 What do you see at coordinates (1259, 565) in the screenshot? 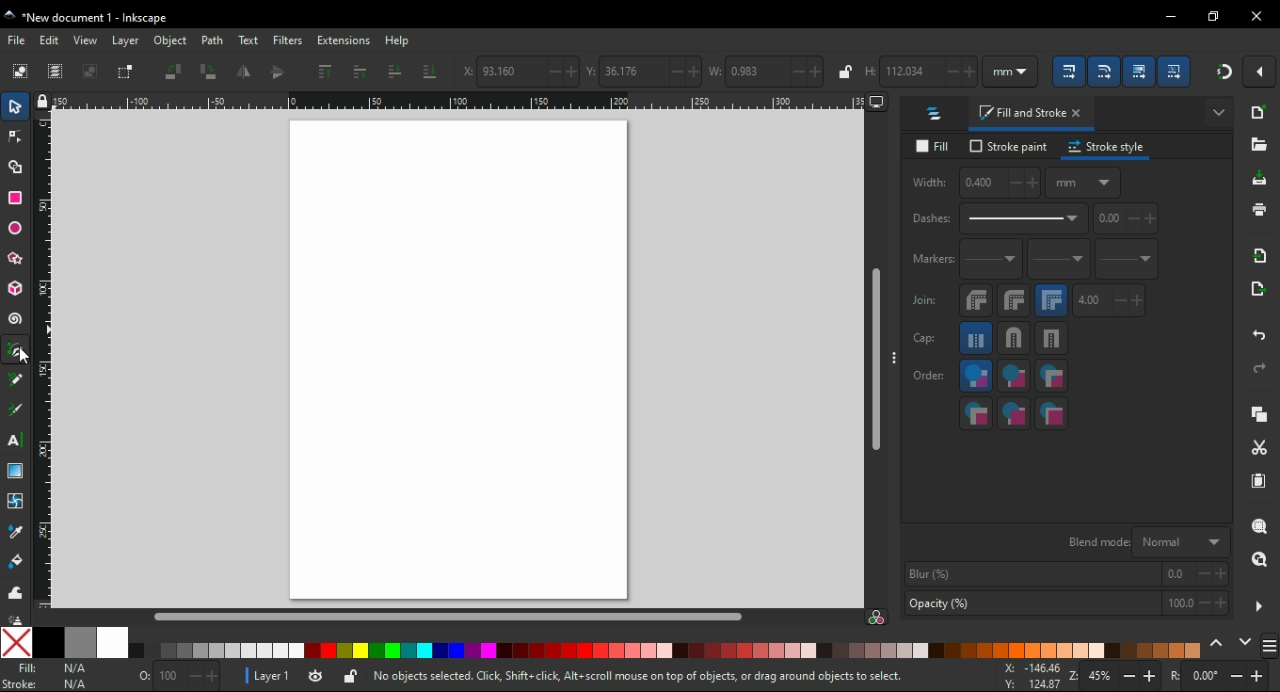
I see `zoom drawing` at bounding box center [1259, 565].